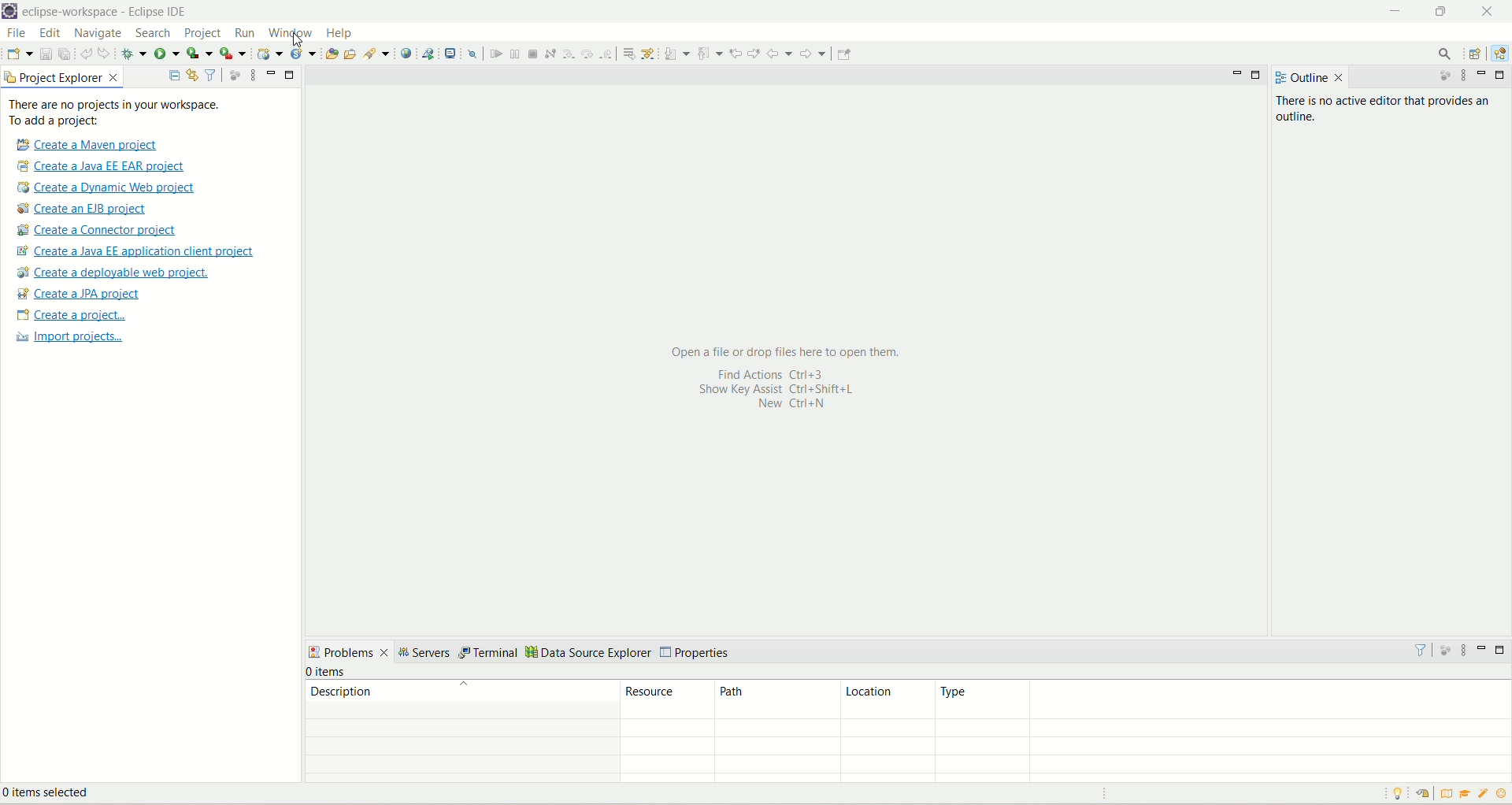 The width and height of the screenshot is (1512, 805). What do you see at coordinates (83, 144) in the screenshot?
I see `create a Maven project` at bounding box center [83, 144].